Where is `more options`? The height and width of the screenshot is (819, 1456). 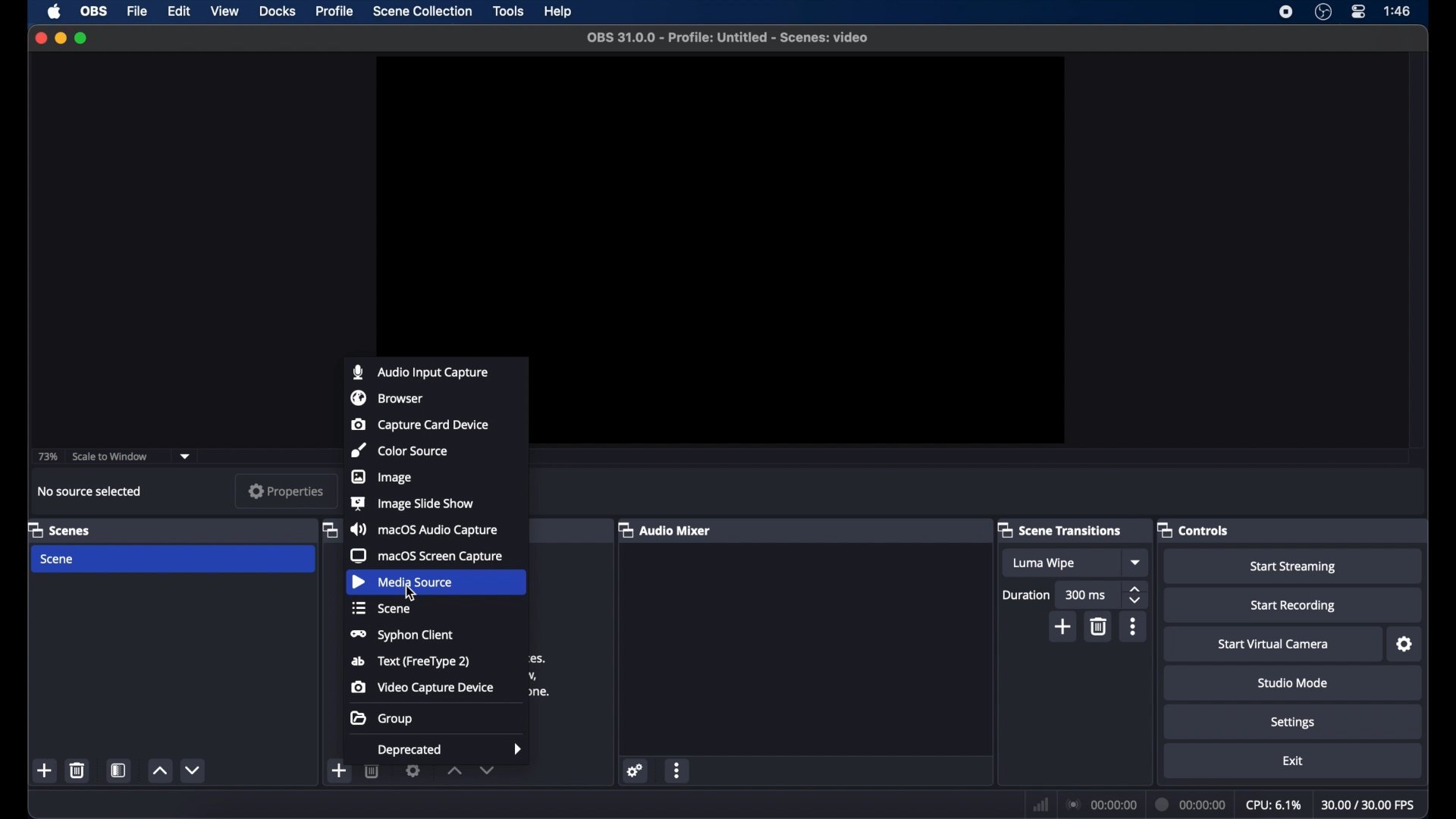 more options is located at coordinates (1134, 626).